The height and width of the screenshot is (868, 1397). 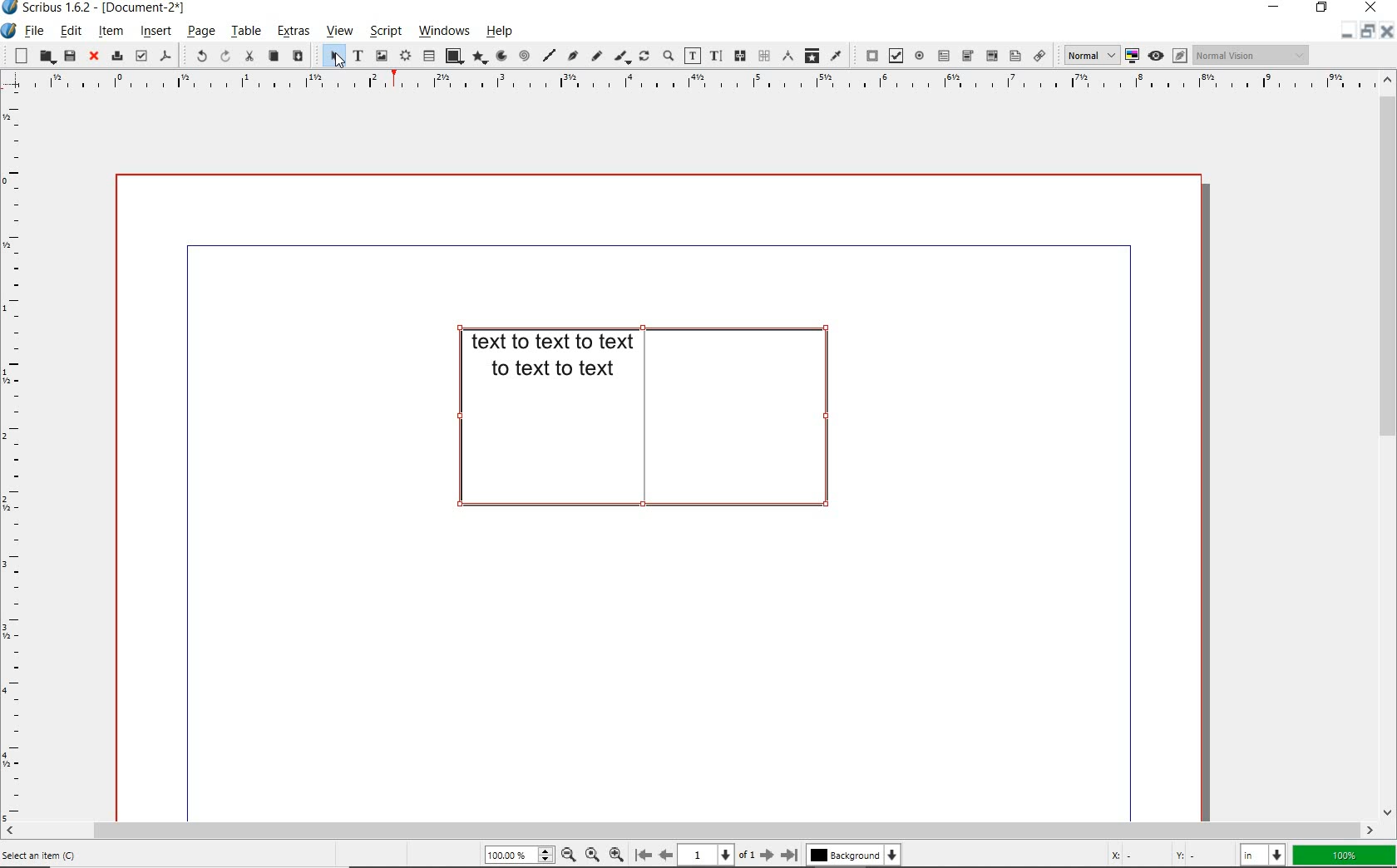 I want to click on pdf radio button, so click(x=919, y=56).